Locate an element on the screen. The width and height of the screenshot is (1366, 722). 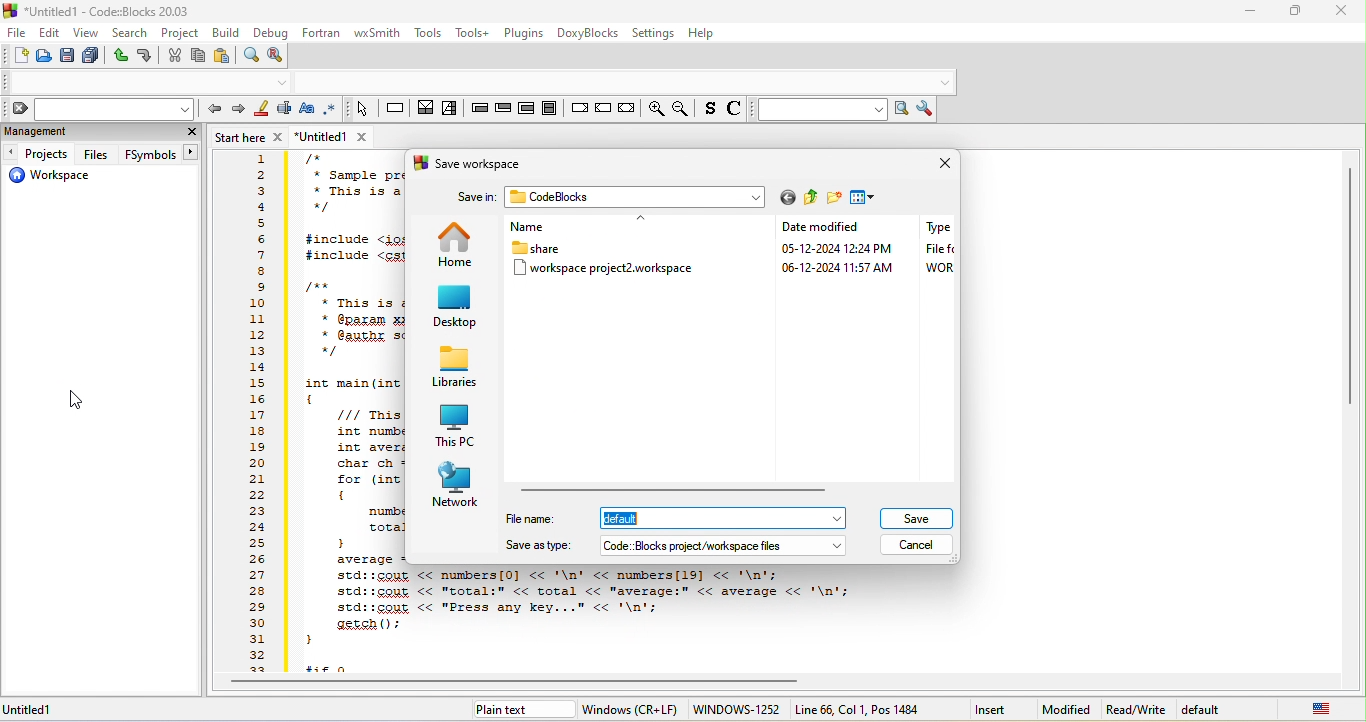
dropdown is located at coordinates (283, 83).